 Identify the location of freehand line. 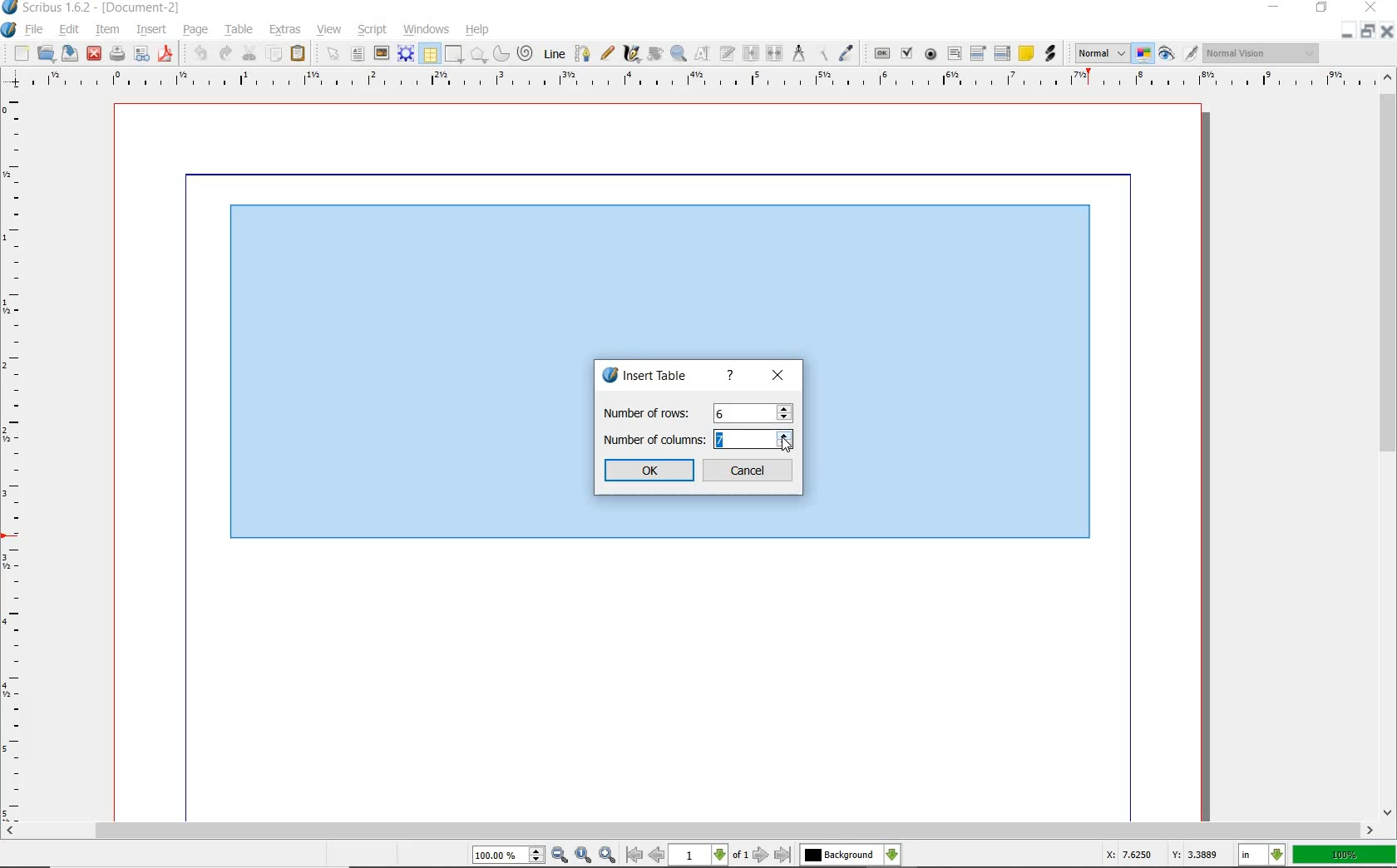
(608, 54).